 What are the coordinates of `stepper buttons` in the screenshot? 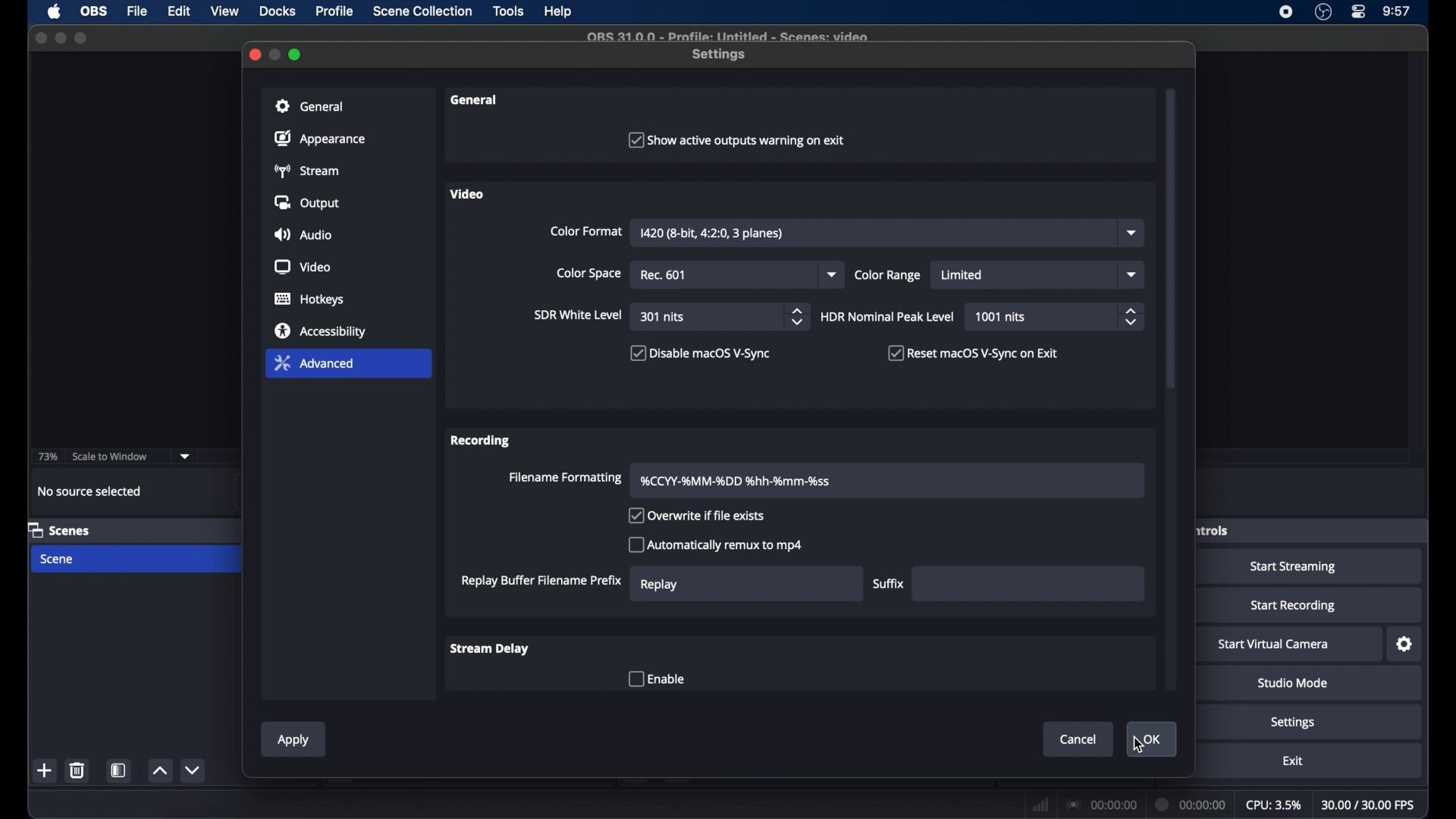 It's located at (1130, 316).